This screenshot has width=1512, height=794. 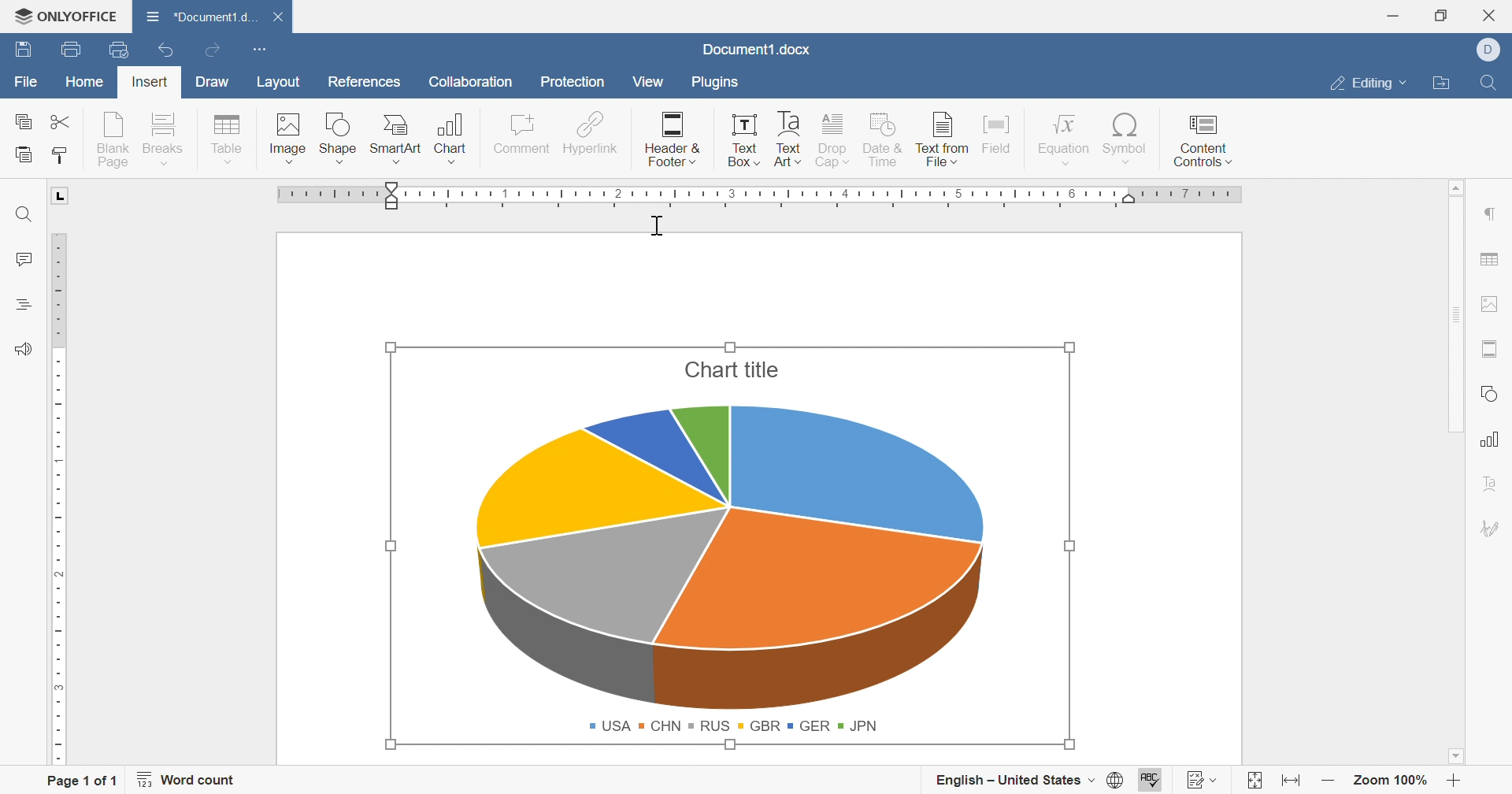 I want to click on Scroll up, so click(x=1458, y=187).